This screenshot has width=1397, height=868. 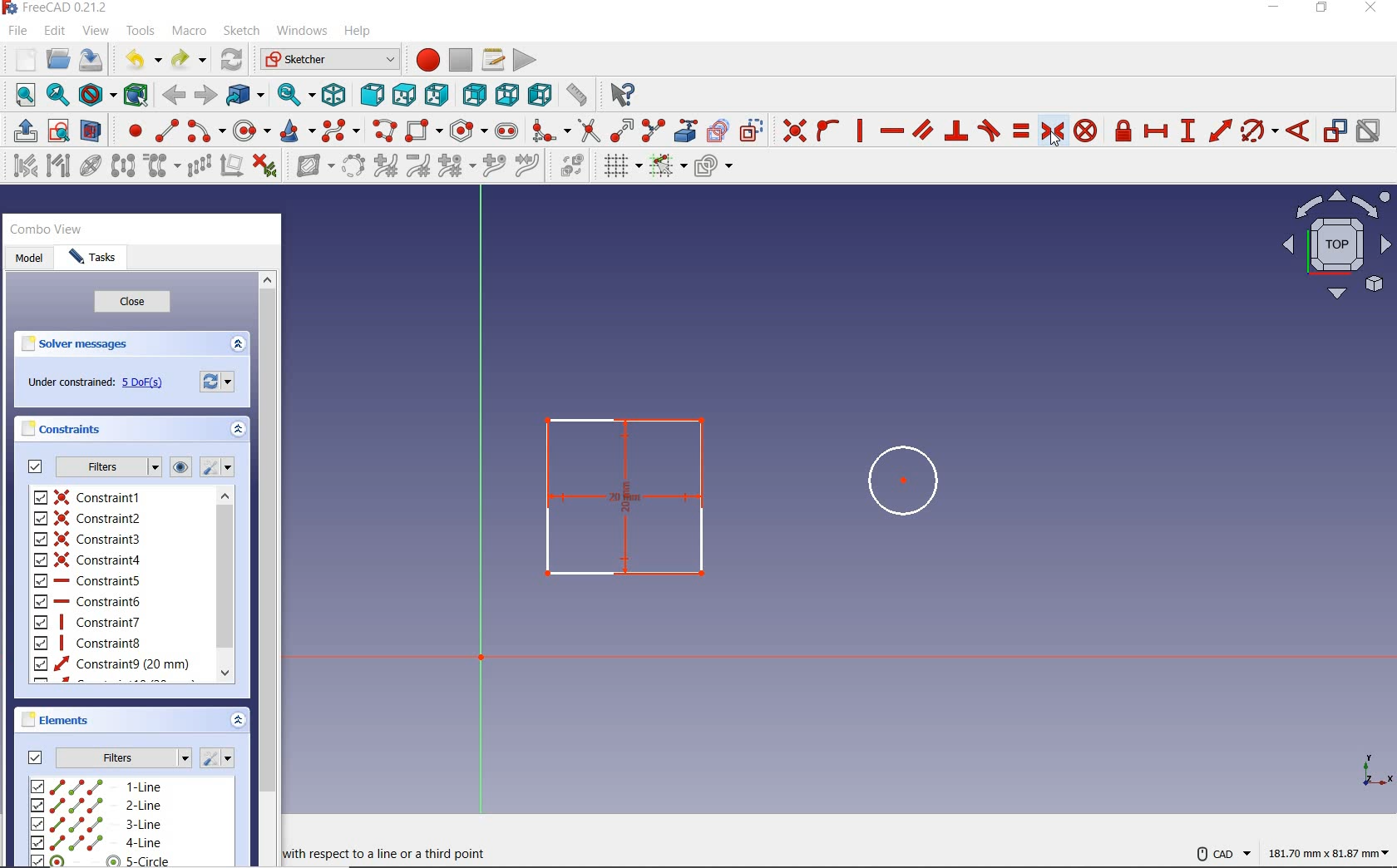 I want to click on settings, so click(x=219, y=467).